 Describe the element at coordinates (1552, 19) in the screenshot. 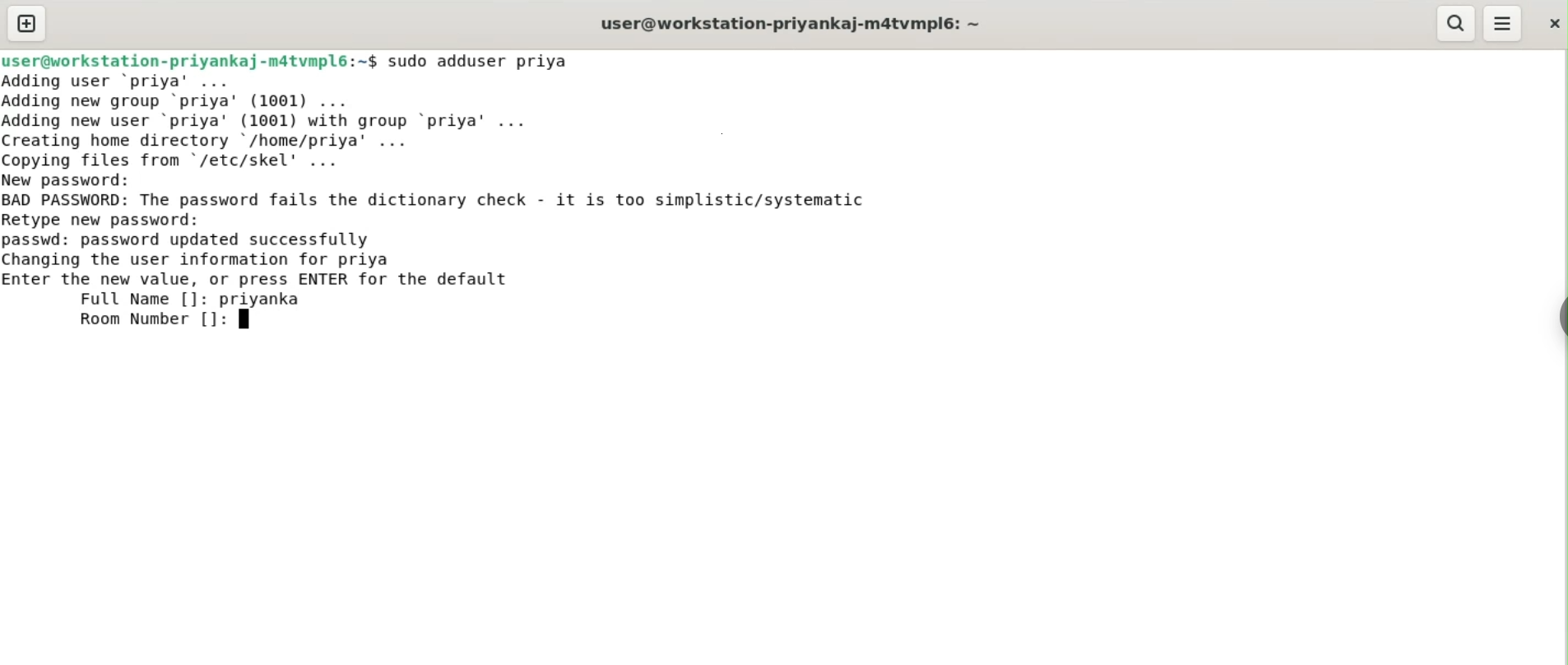

I see `close` at that location.